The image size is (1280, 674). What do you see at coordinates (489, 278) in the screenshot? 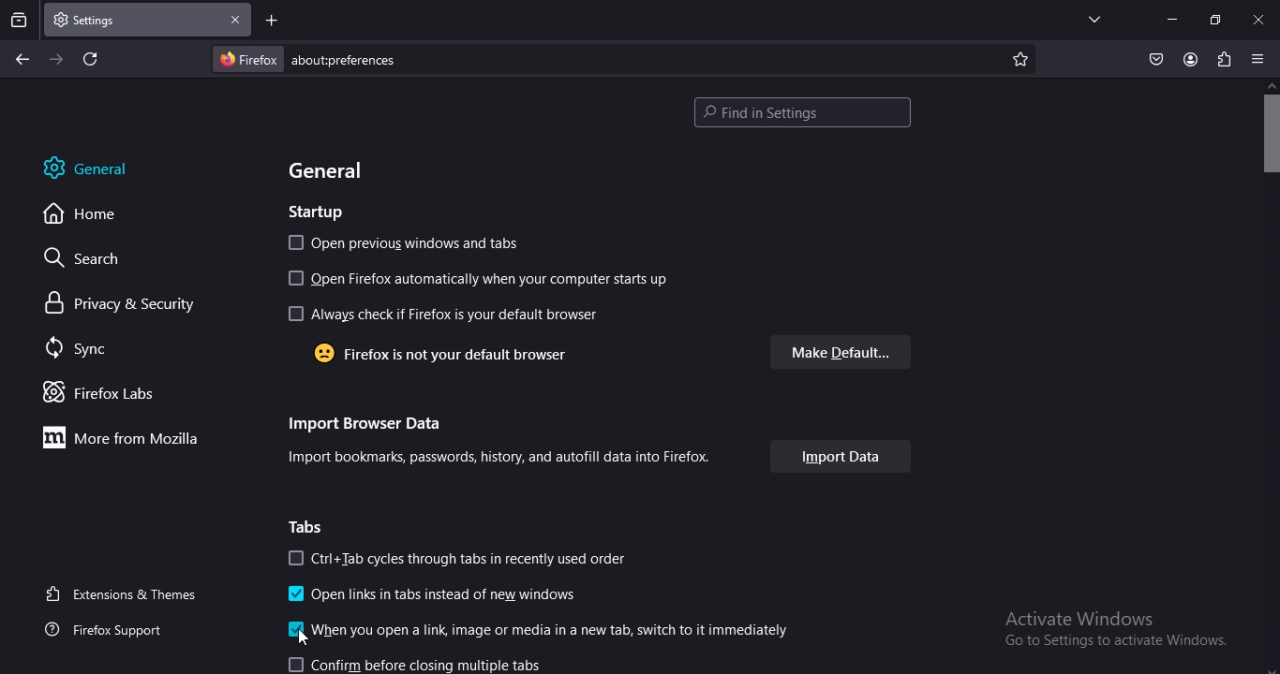
I see `open firefox automatically when your computer starts` at bounding box center [489, 278].